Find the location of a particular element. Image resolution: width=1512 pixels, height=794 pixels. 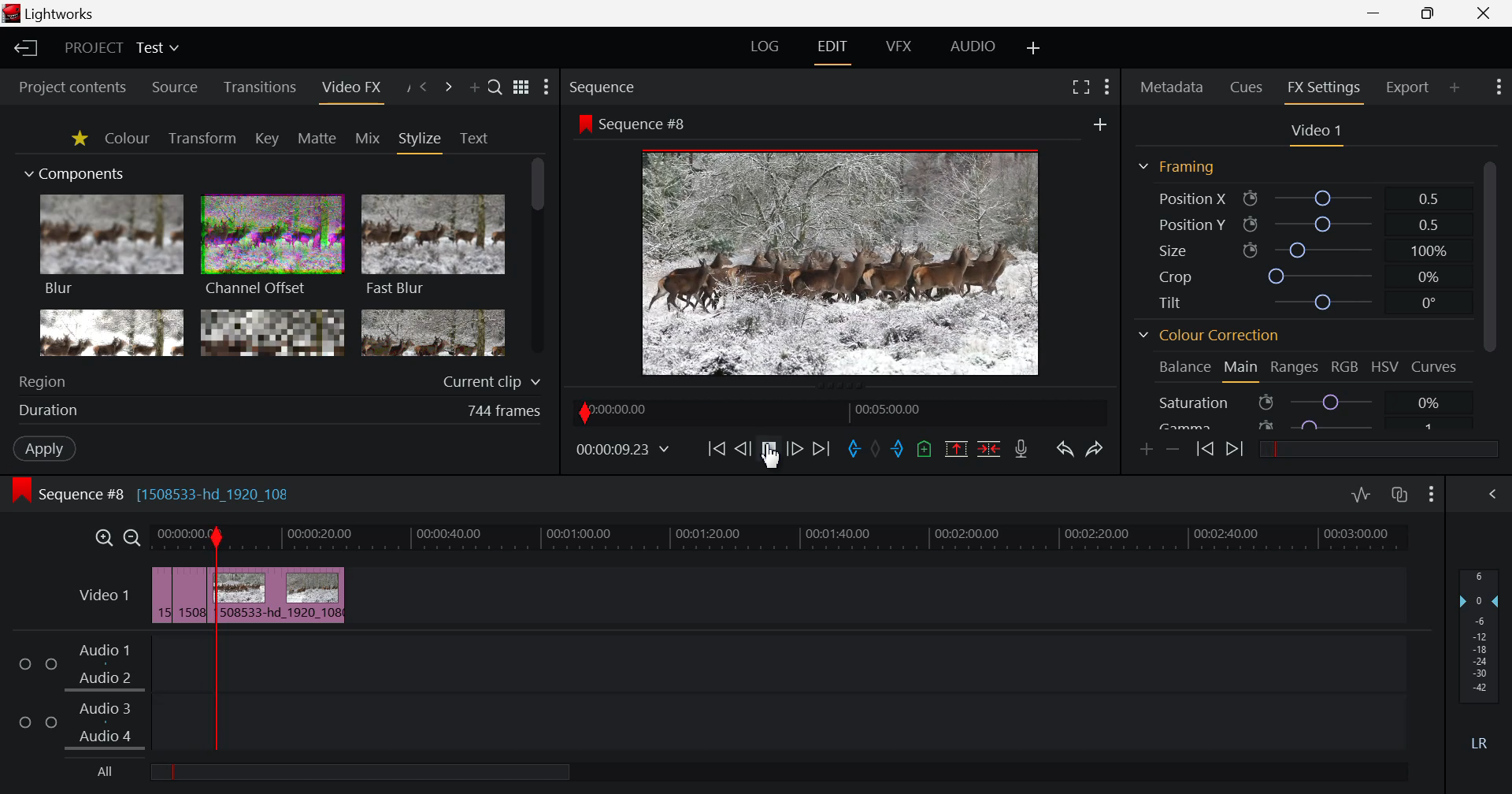

Framing Section is located at coordinates (1176, 169).